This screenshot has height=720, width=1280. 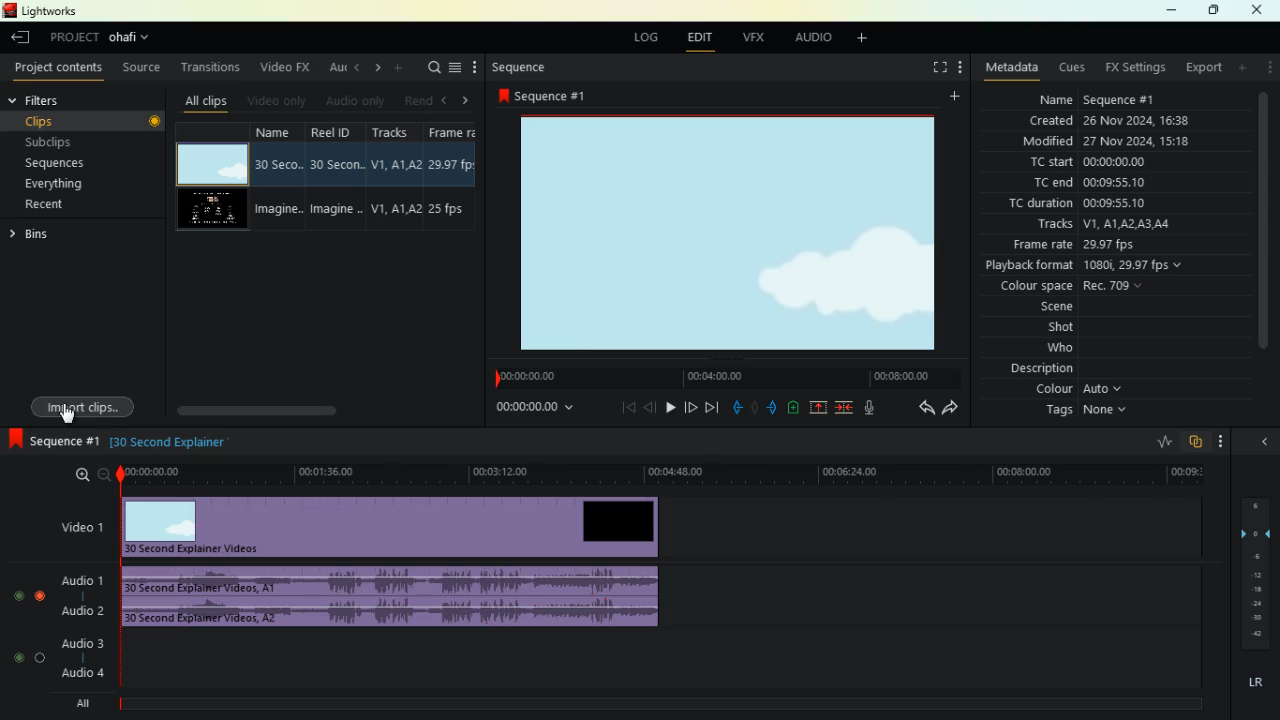 What do you see at coordinates (1079, 411) in the screenshot?
I see `tags` at bounding box center [1079, 411].